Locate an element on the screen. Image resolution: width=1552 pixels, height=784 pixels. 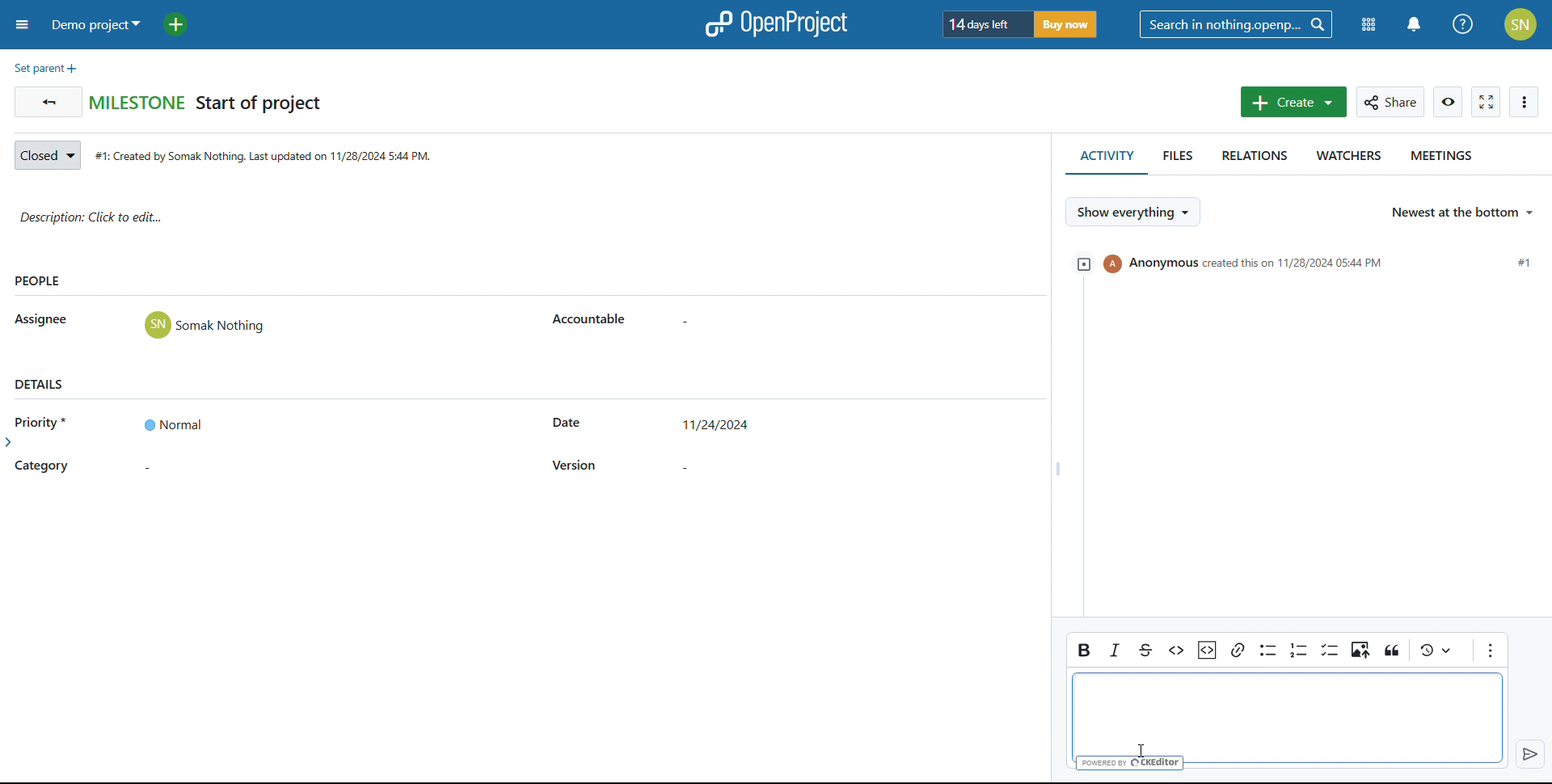
resize is located at coordinates (1055, 468).